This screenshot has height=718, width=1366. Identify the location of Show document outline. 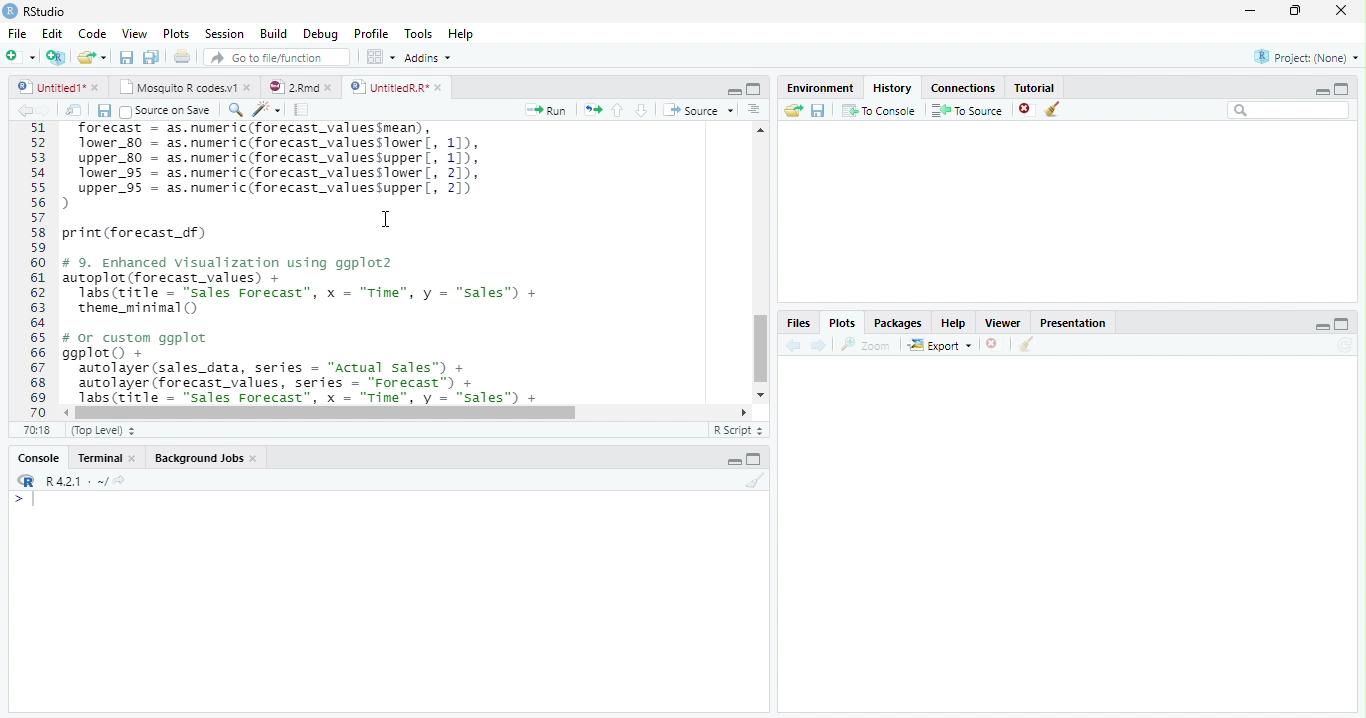
(754, 111).